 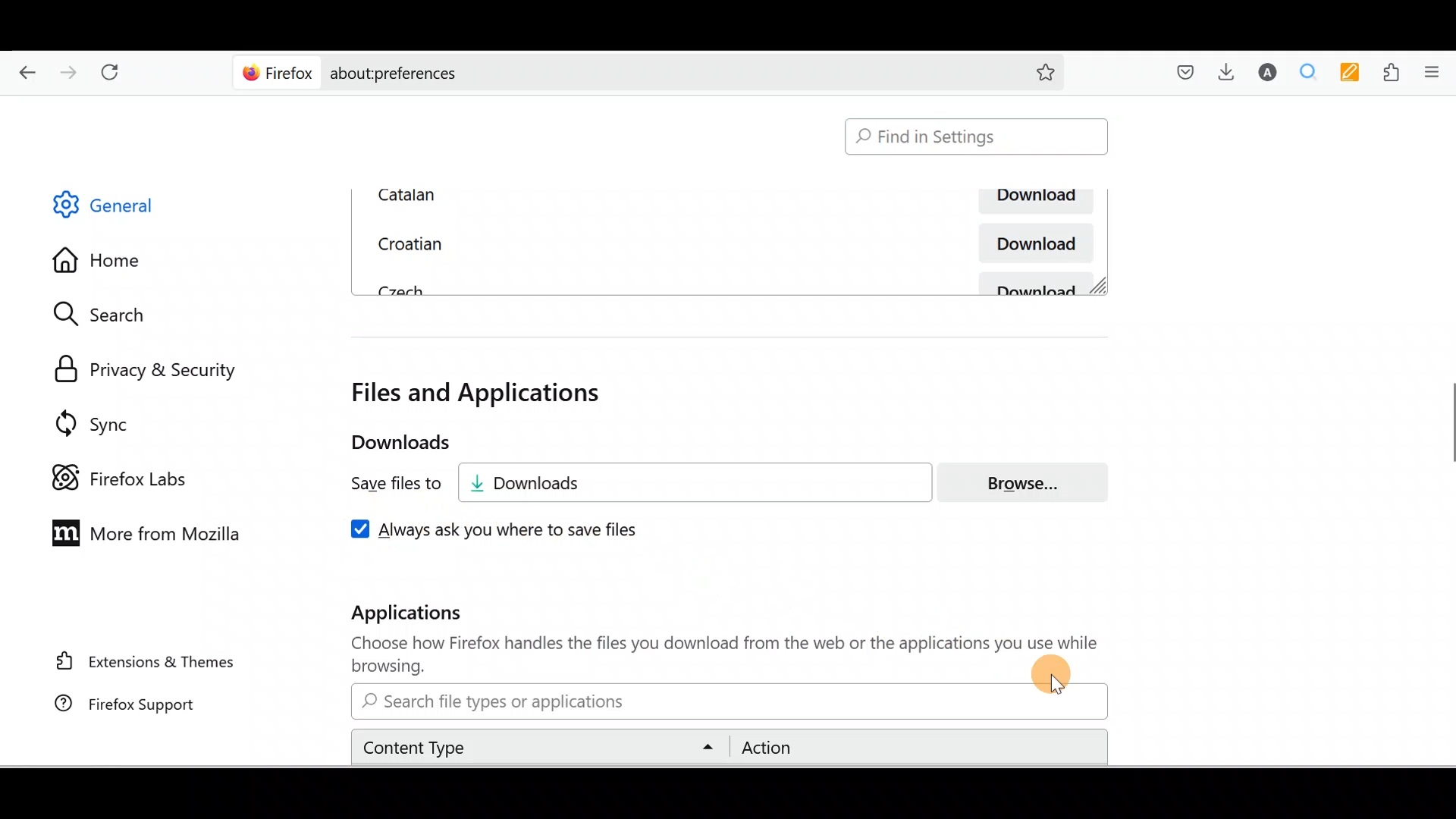 What do you see at coordinates (617, 73) in the screenshot?
I see `Search bar` at bounding box center [617, 73].